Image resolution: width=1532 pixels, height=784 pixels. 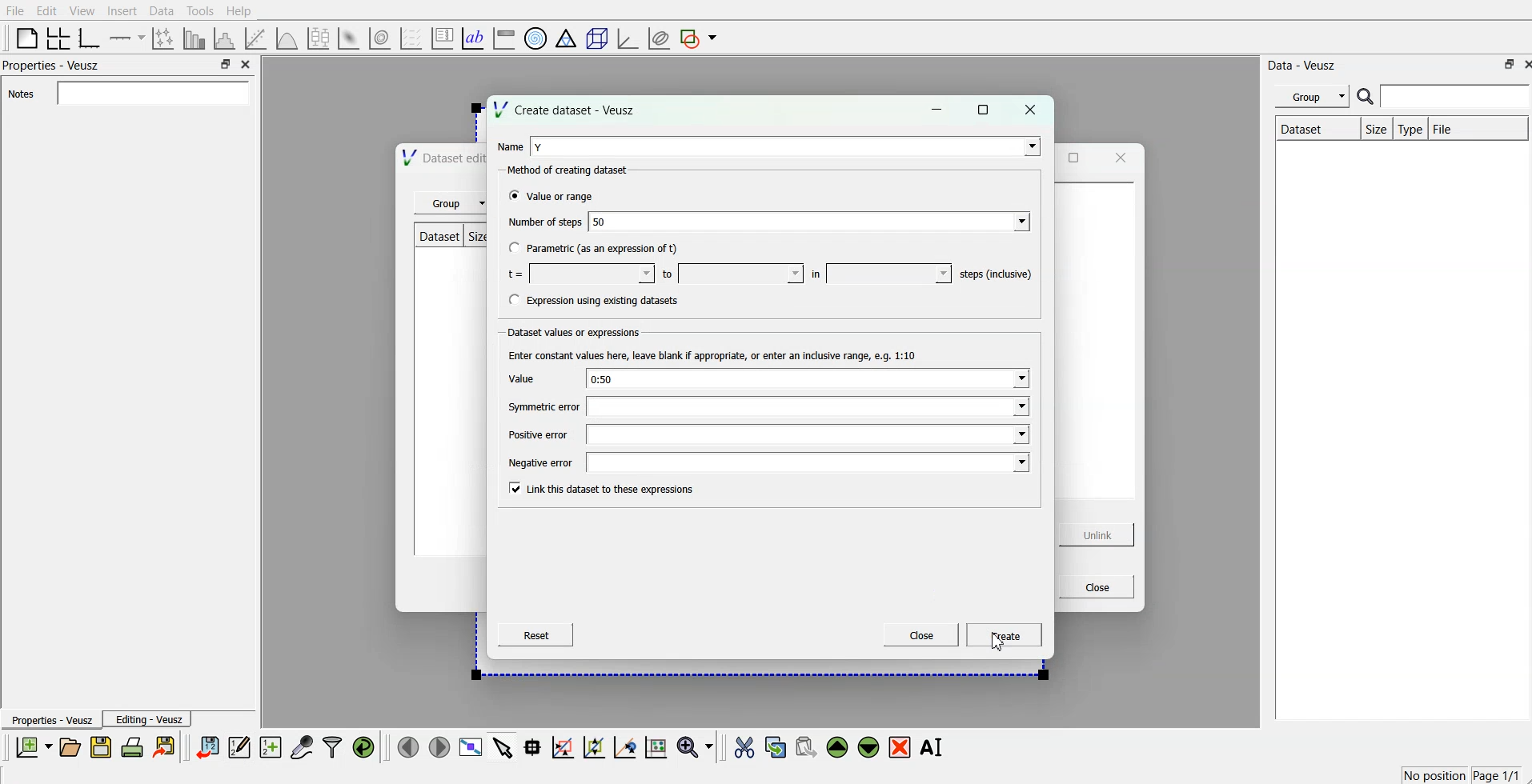 What do you see at coordinates (208, 748) in the screenshot?
I see `import data points` at bounding box center [208, 748].